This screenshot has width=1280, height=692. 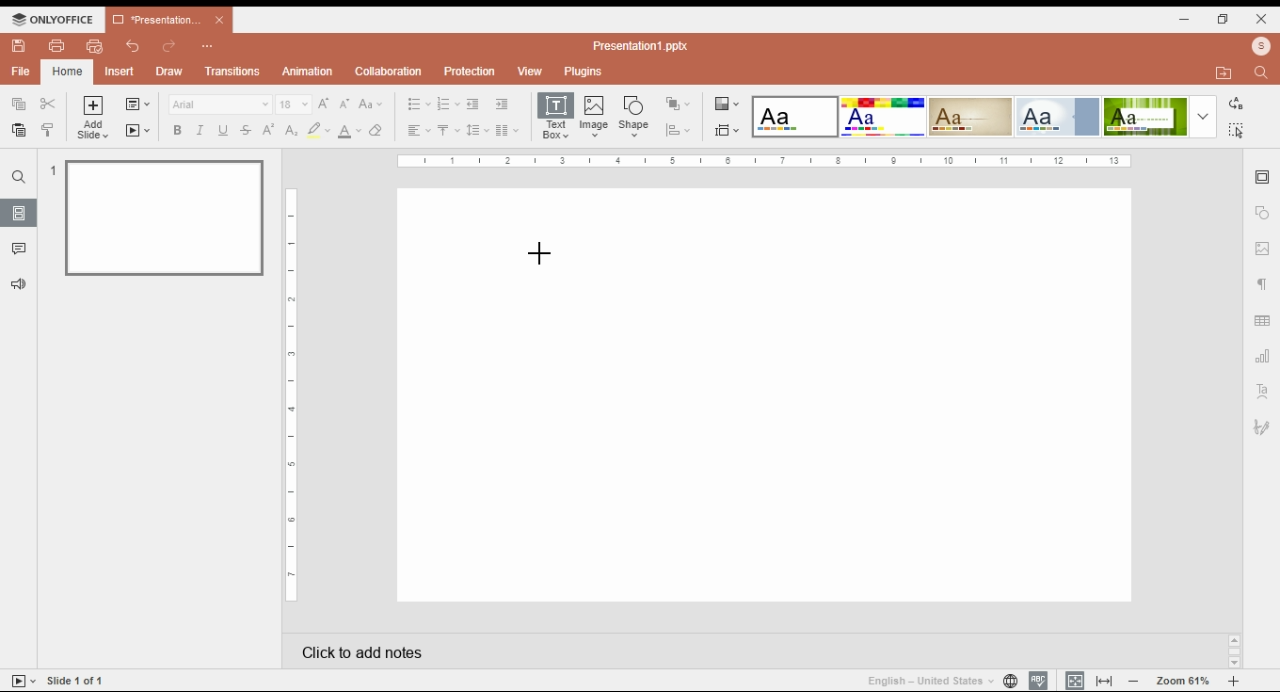 I want to click on change slide layout, so click(x=138, y=104).